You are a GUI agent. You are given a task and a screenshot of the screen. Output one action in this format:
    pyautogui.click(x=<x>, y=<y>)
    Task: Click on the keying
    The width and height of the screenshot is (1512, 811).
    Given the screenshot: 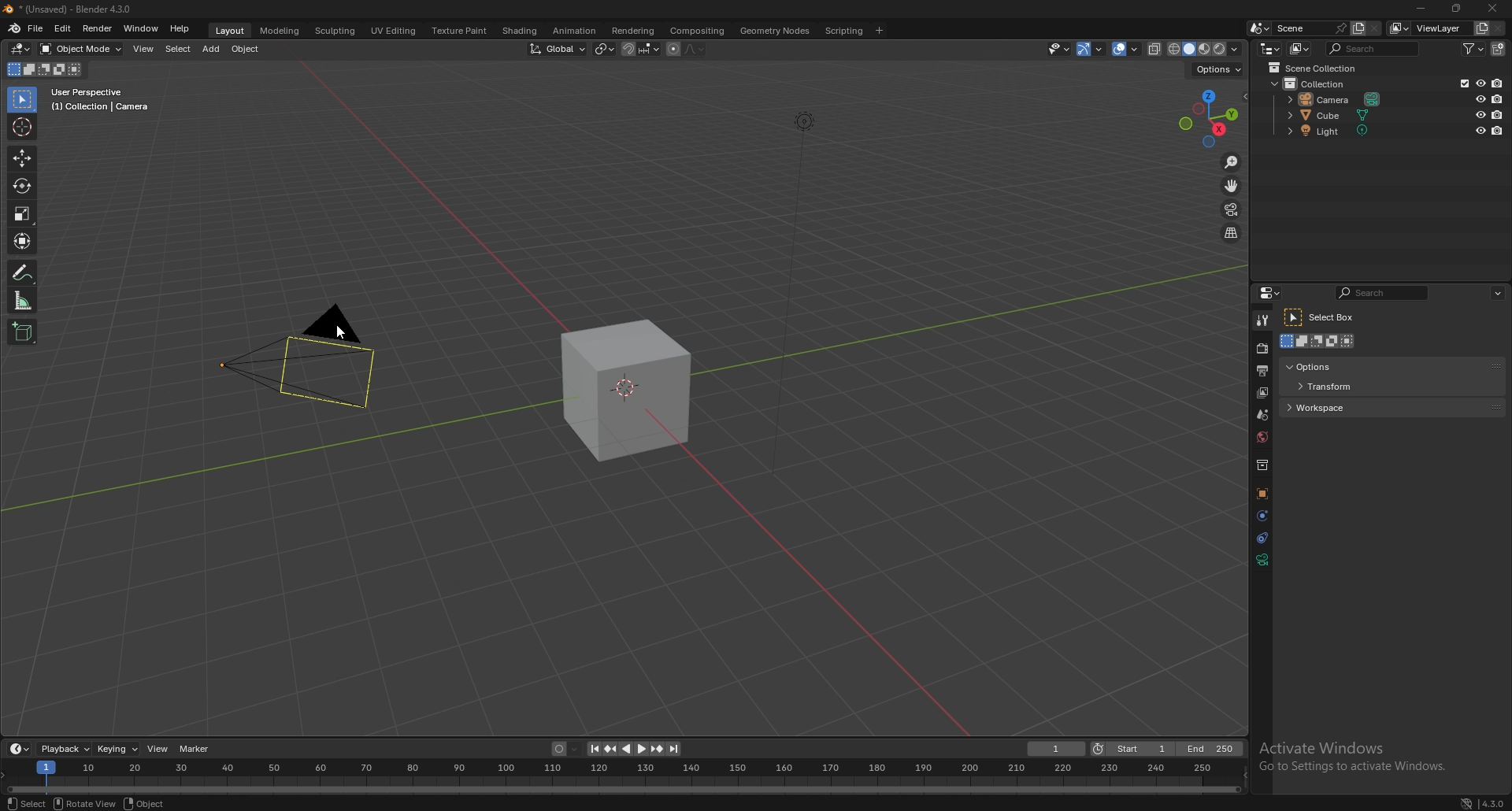 What is the action you would take?
    pyautogui.click(x=118, y=749)
    